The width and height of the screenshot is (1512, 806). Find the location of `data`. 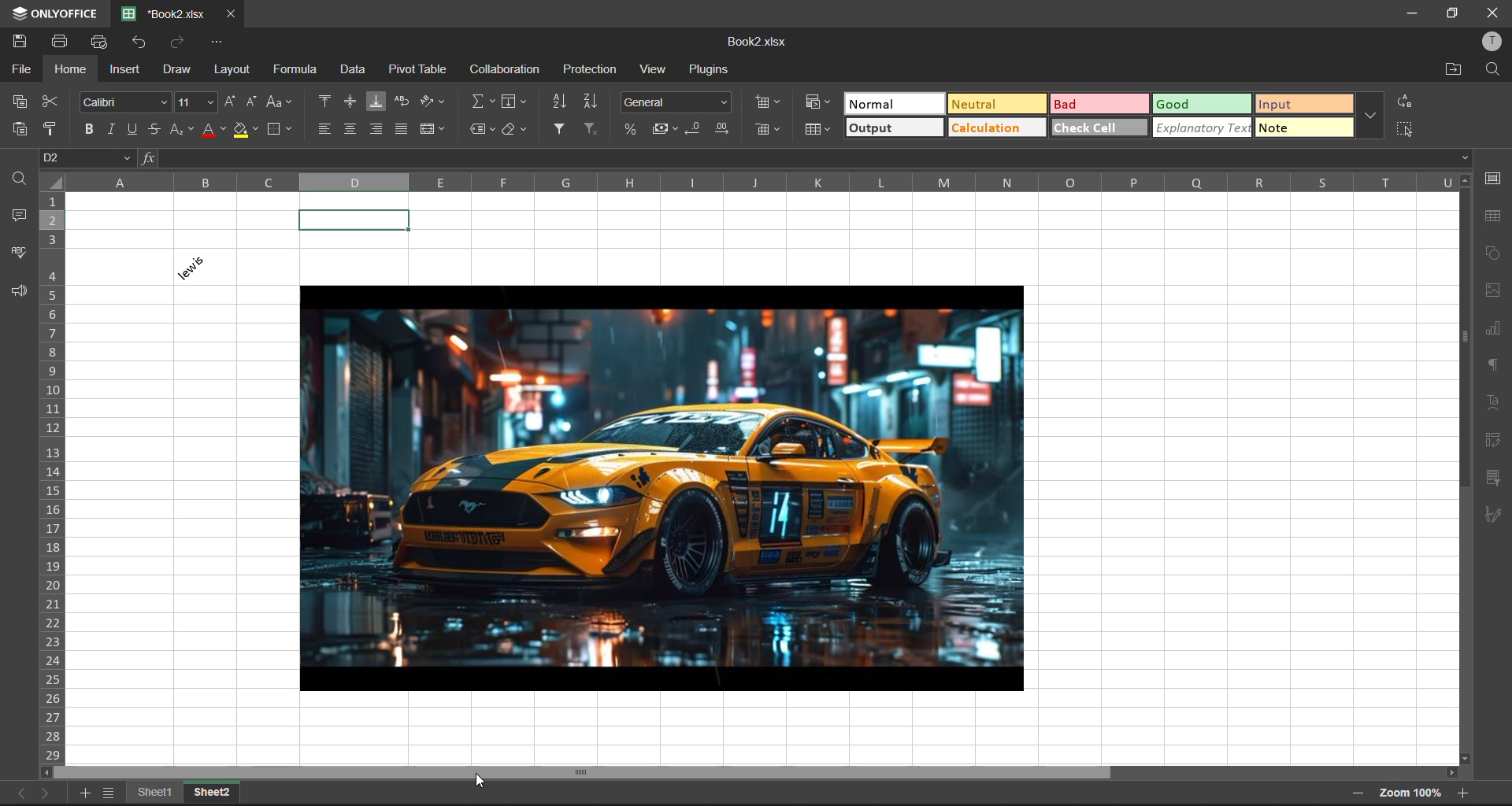

data is located at coordinates (358, 68).